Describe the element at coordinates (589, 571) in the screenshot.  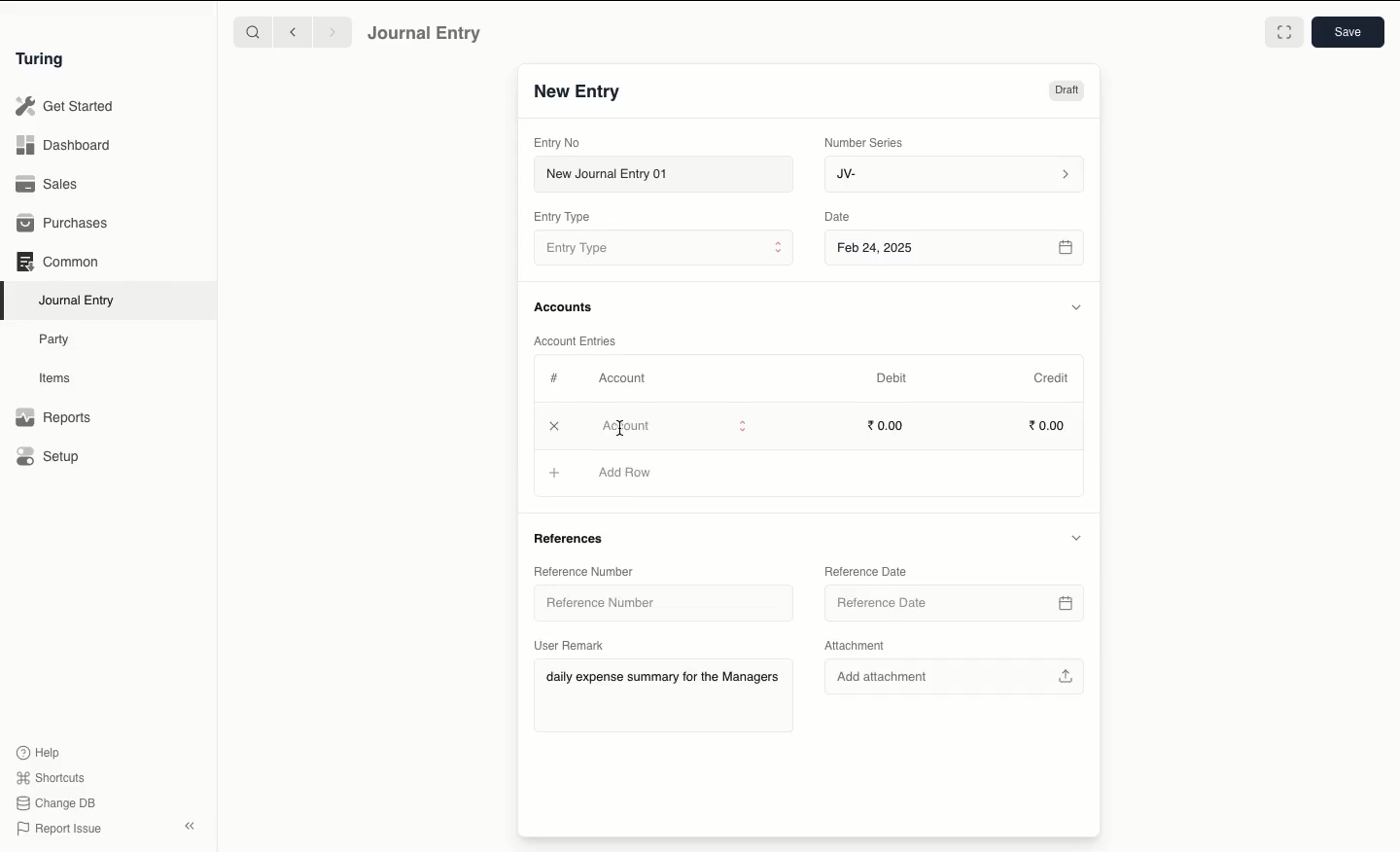
I see `Reference Number` at that location.